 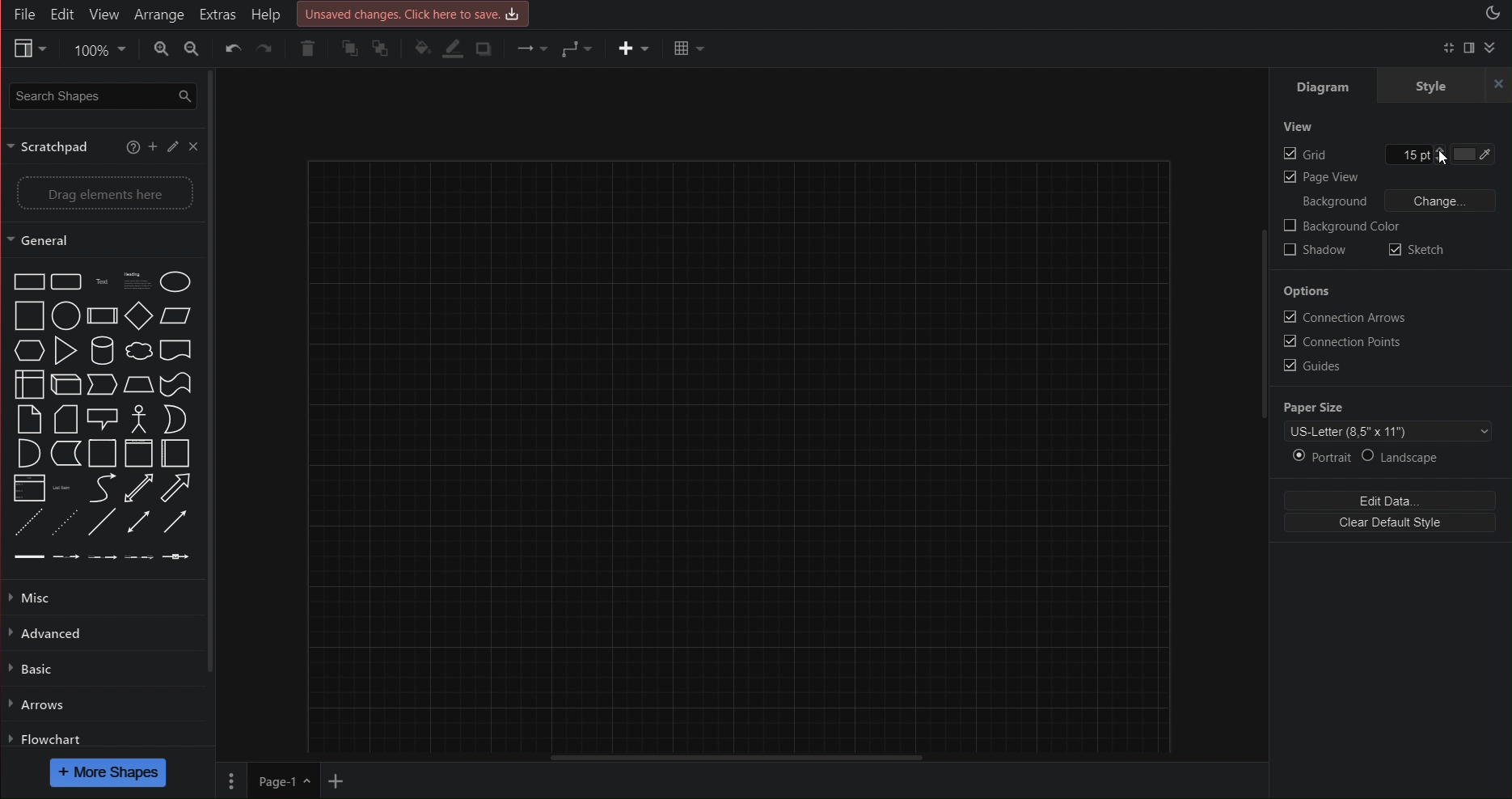 What do you see at coordinates (340, 780) in the screenshot?
I see `Add new page` at bounding box center [340, 780].